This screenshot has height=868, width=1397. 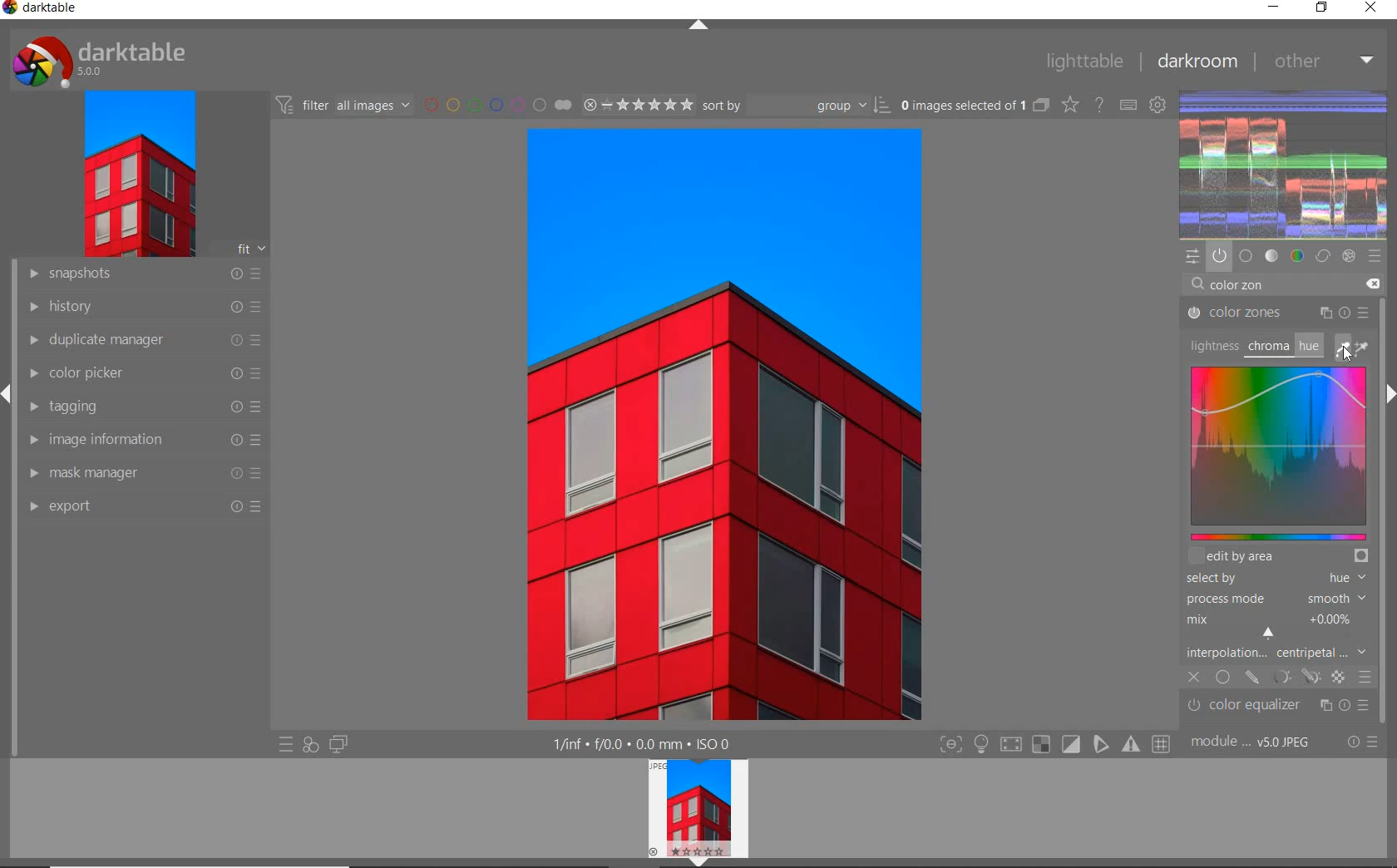 I want to click on focus, so click(x=950, y=745).